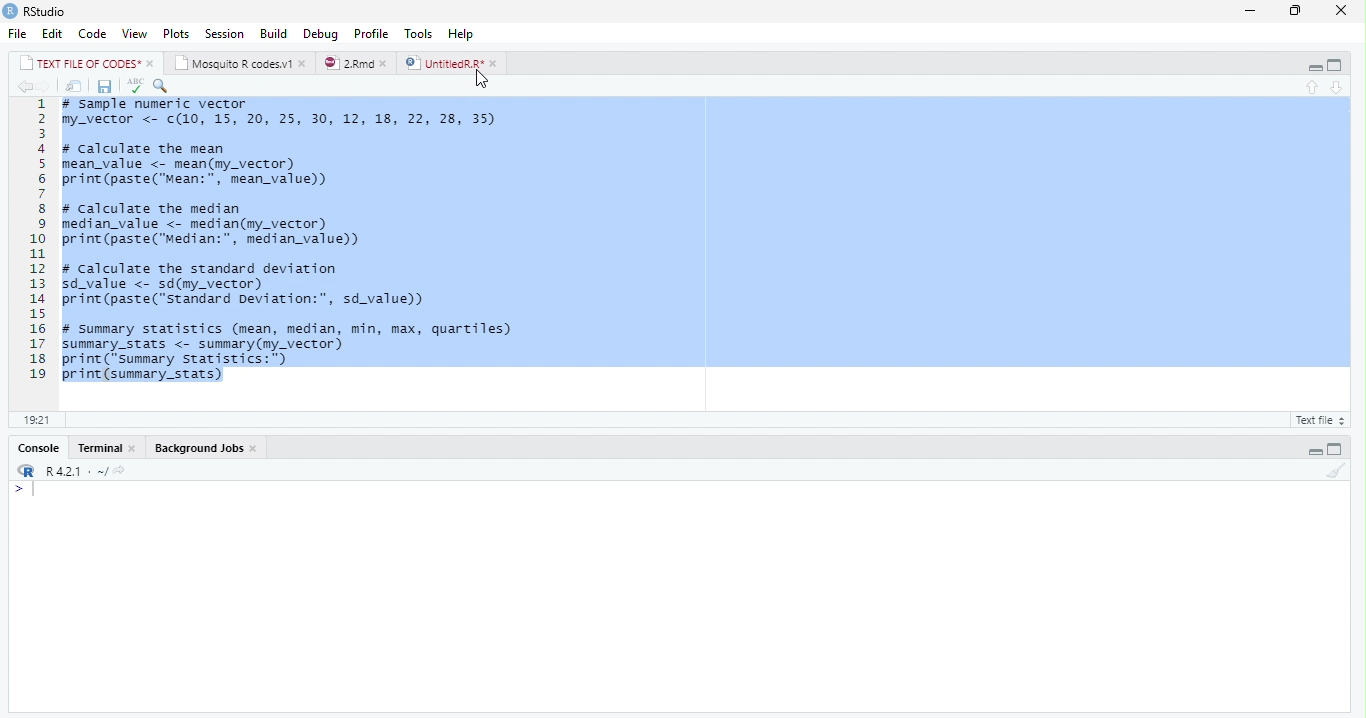 Image resolution: width=1366 pixels, height=718 pixels. Describe the element at coordinates (274, 35) in the screenshot. I see `build` at that location.